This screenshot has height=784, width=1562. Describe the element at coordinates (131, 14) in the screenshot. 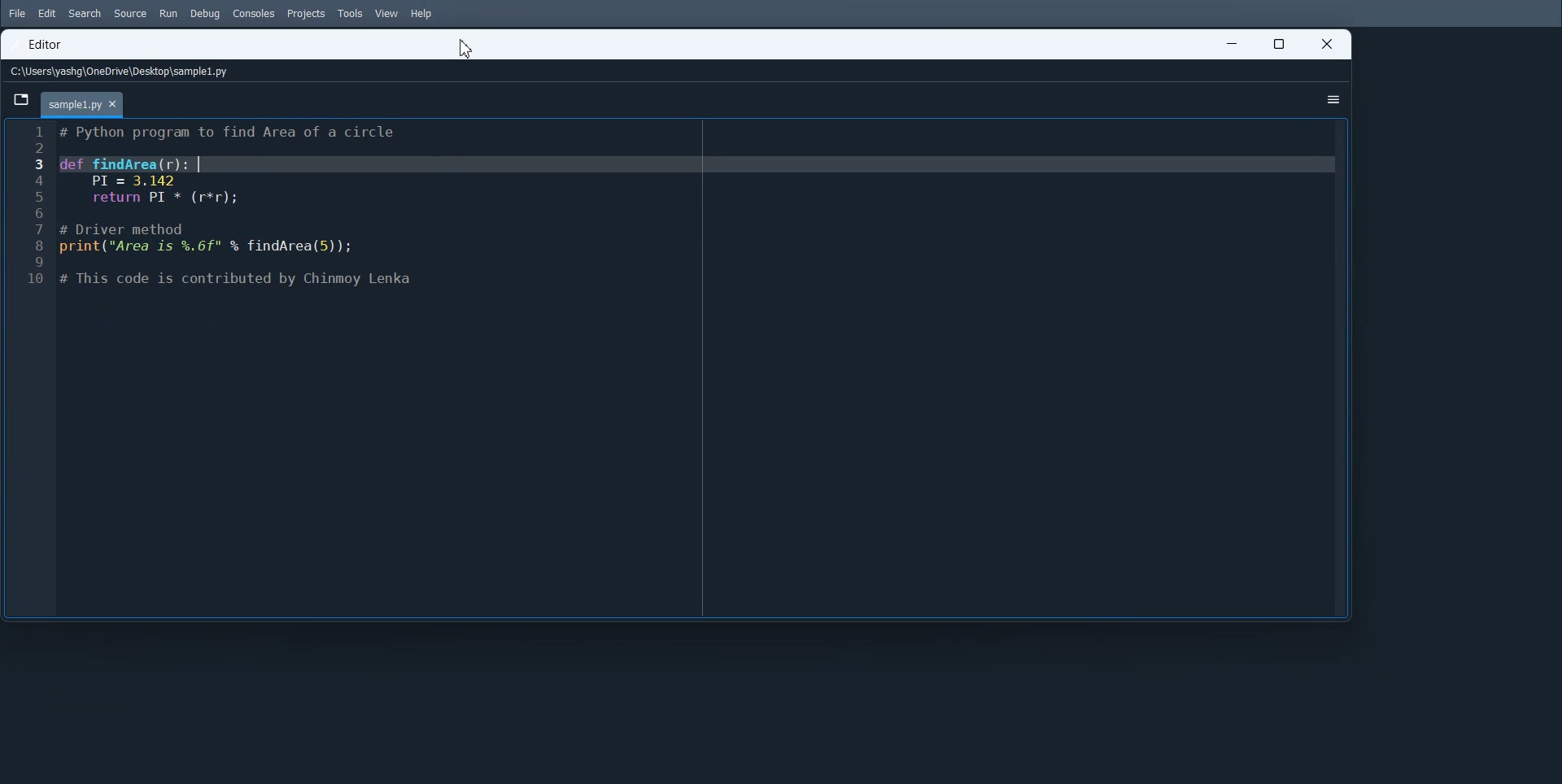

I see `Source` at that location.